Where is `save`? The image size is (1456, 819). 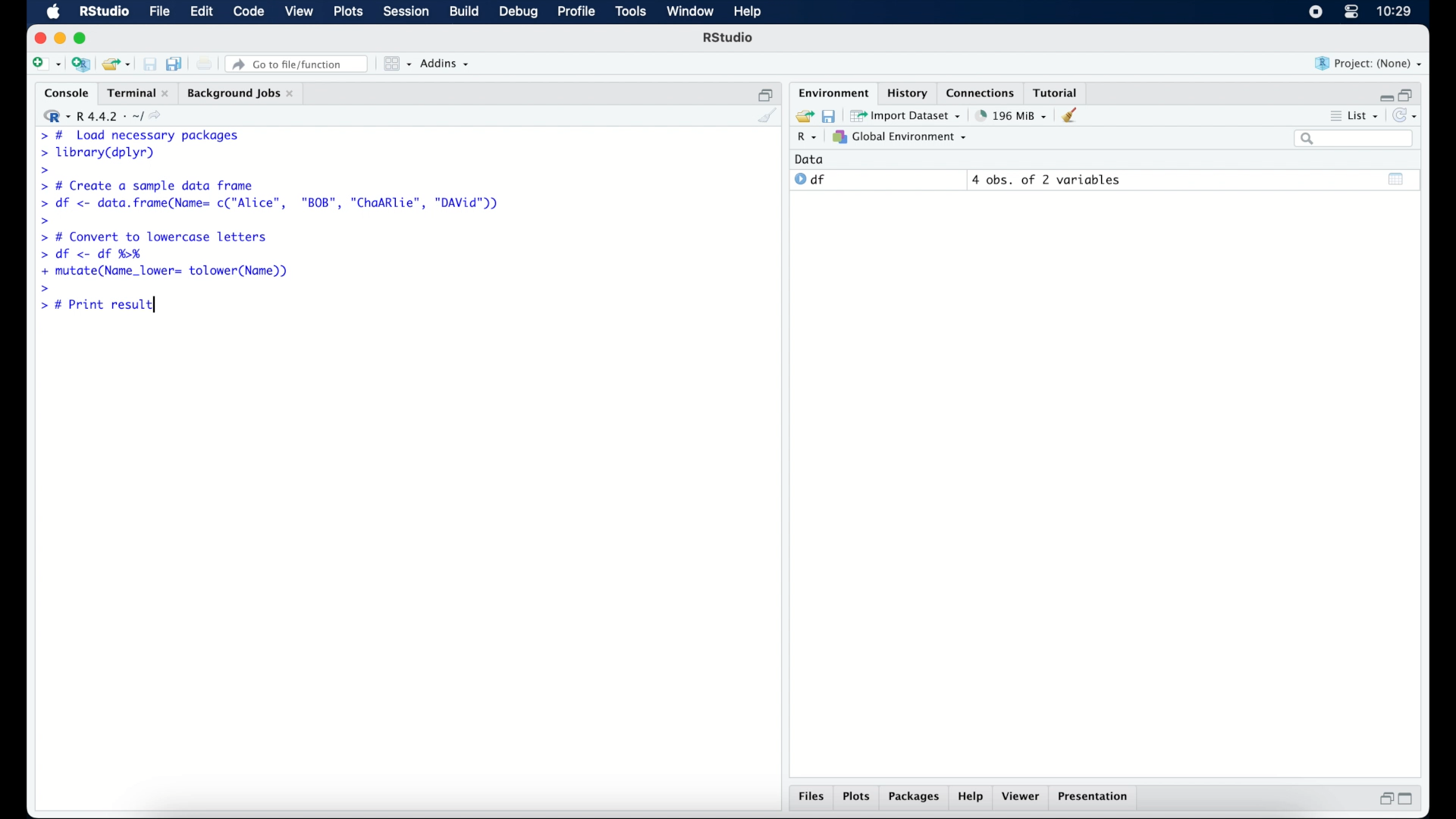 save is located at coordinates (828, 115).